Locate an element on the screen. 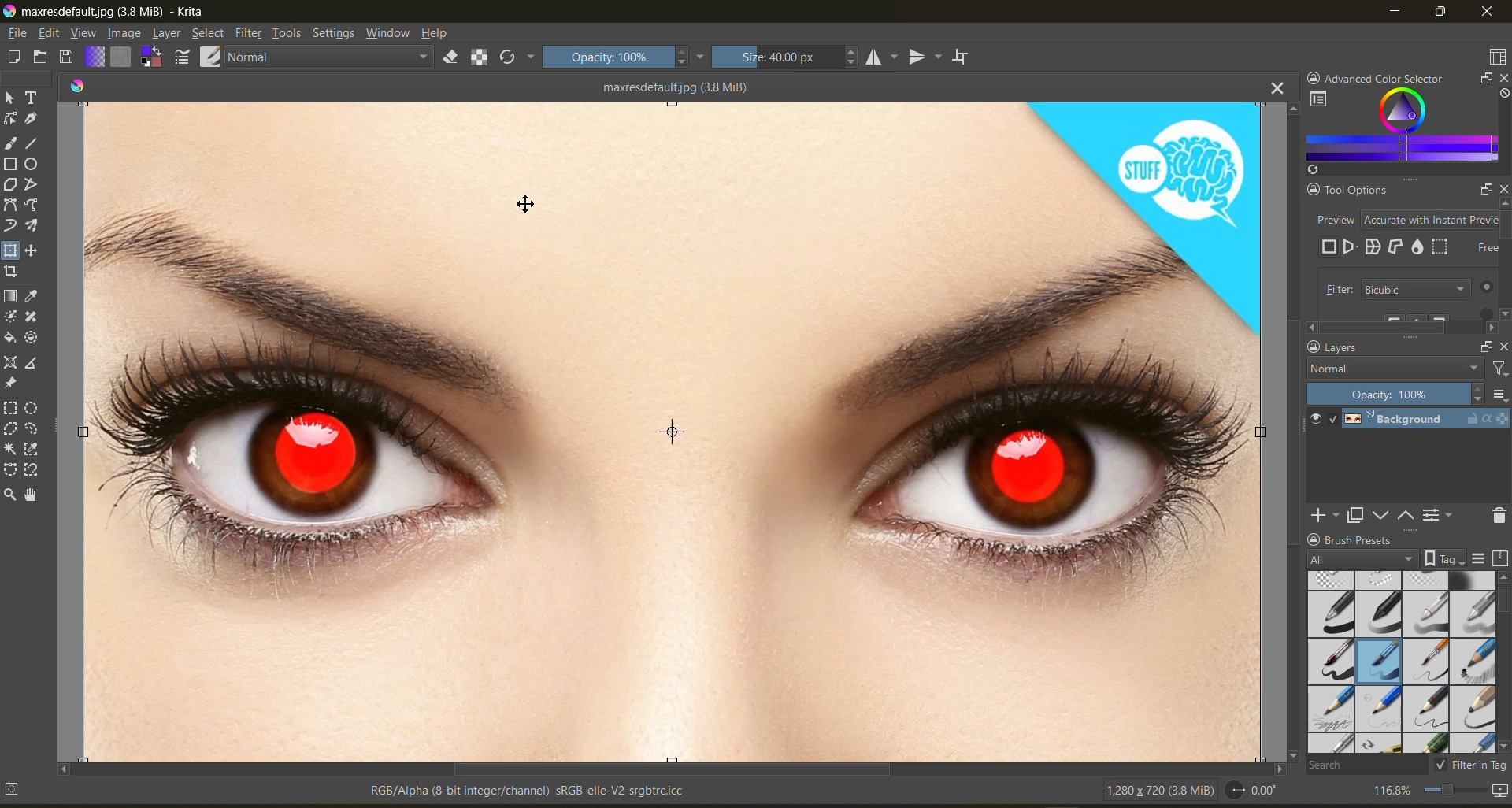 The image size is (1512, 808). save is located at coordinates (69, 57).